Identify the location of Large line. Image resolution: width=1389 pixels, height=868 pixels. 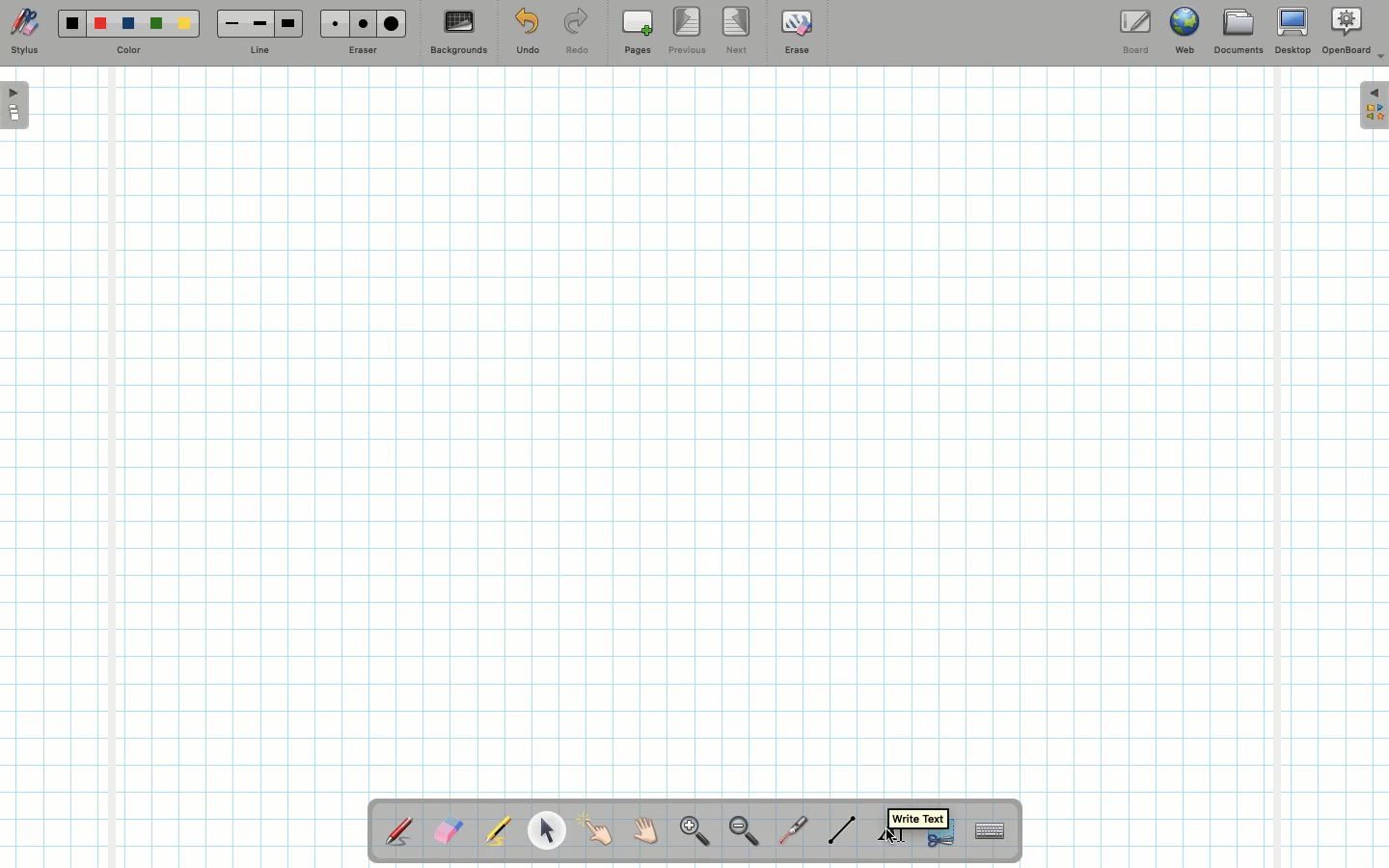
(289, 23).